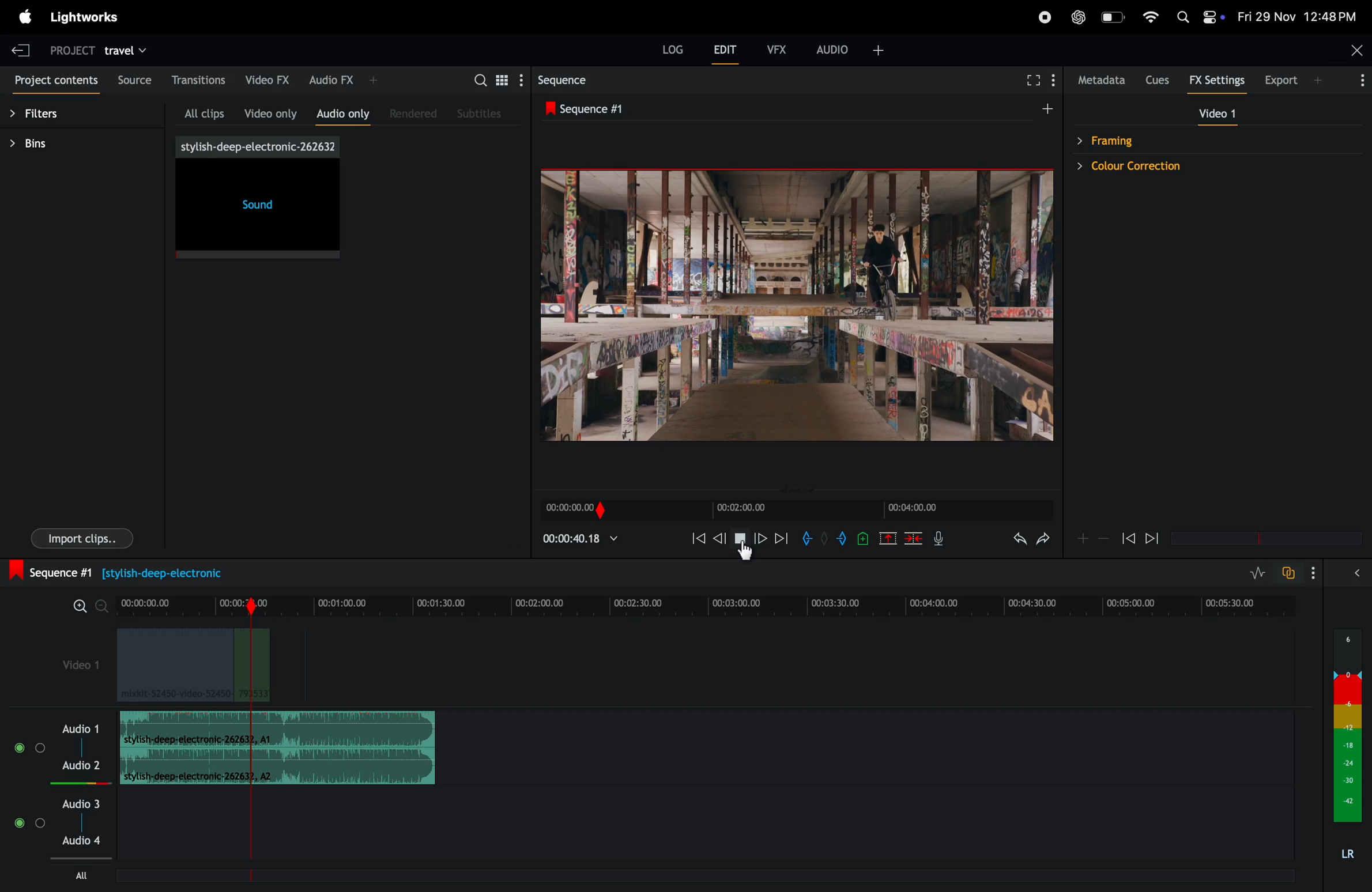 The width and height of the screenshot is (1372, 892). I want to click on add cue to current position, so click(862, 538).